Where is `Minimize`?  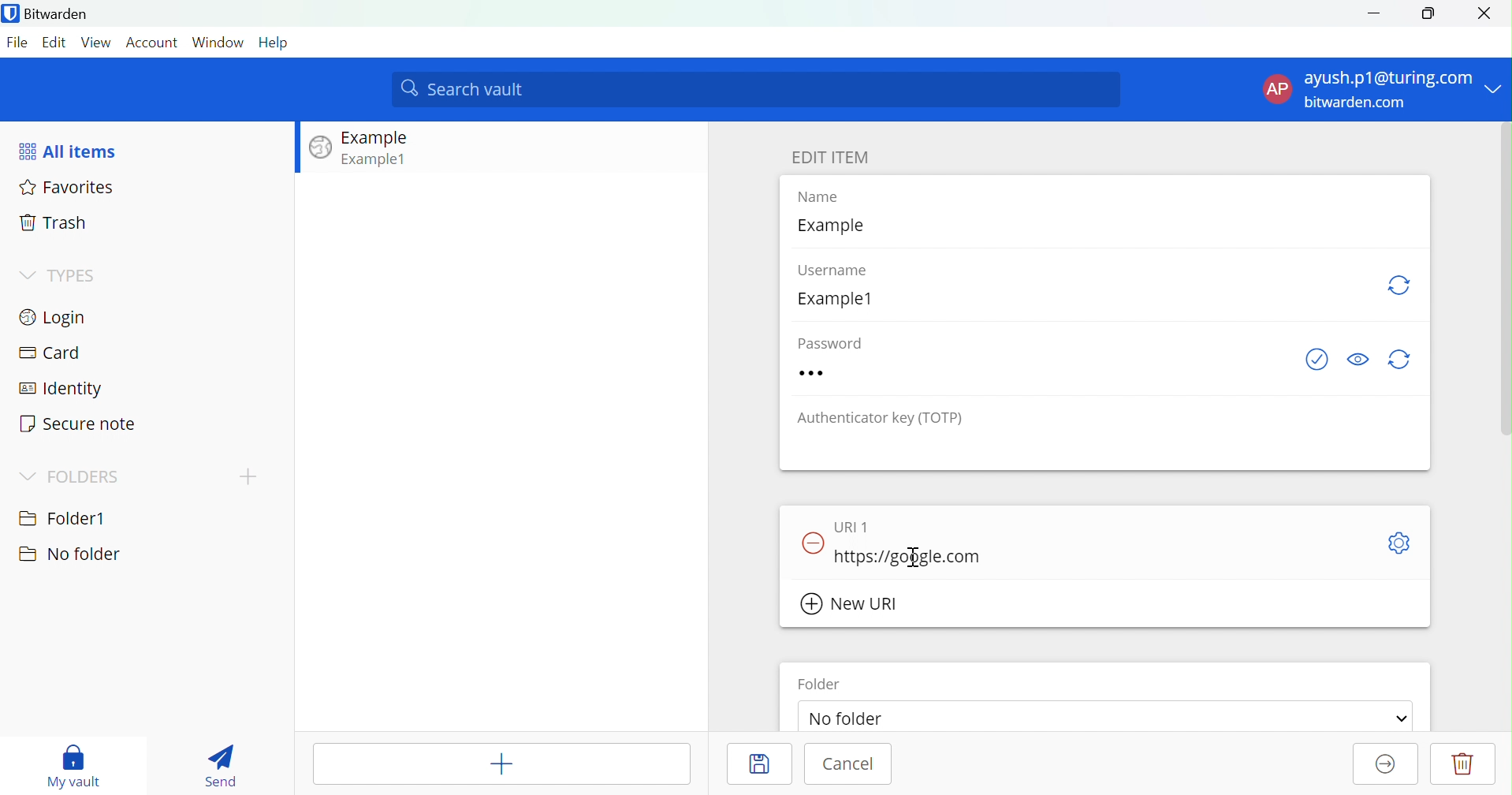
Minimize is located at coordinates (1373, 12).